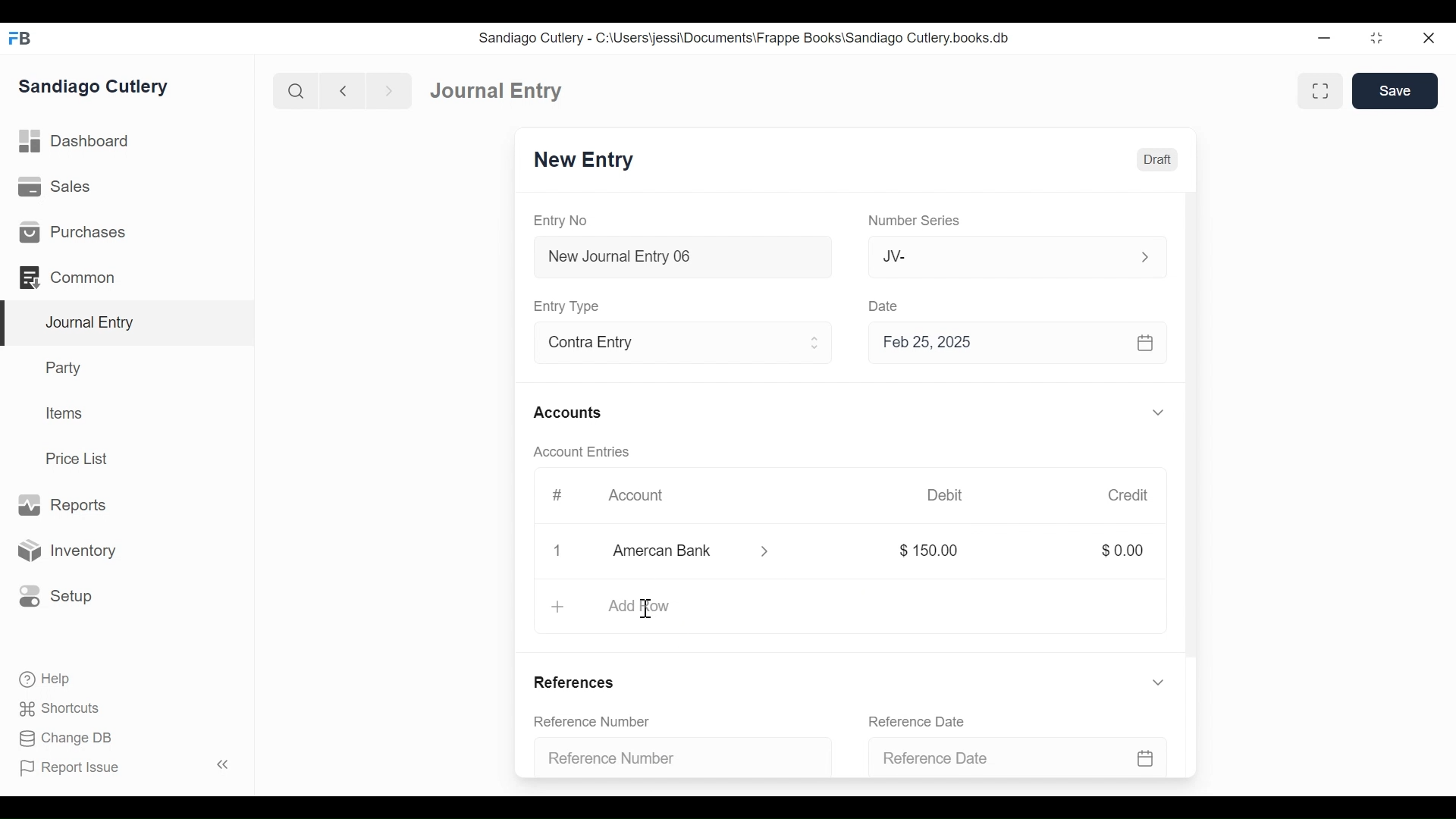 The height and width of the screenshot is (819, 1456). What do you see at coordinates (572, 414) in the screenshot?
I see `Accounts` at bounding box center [572, 414].